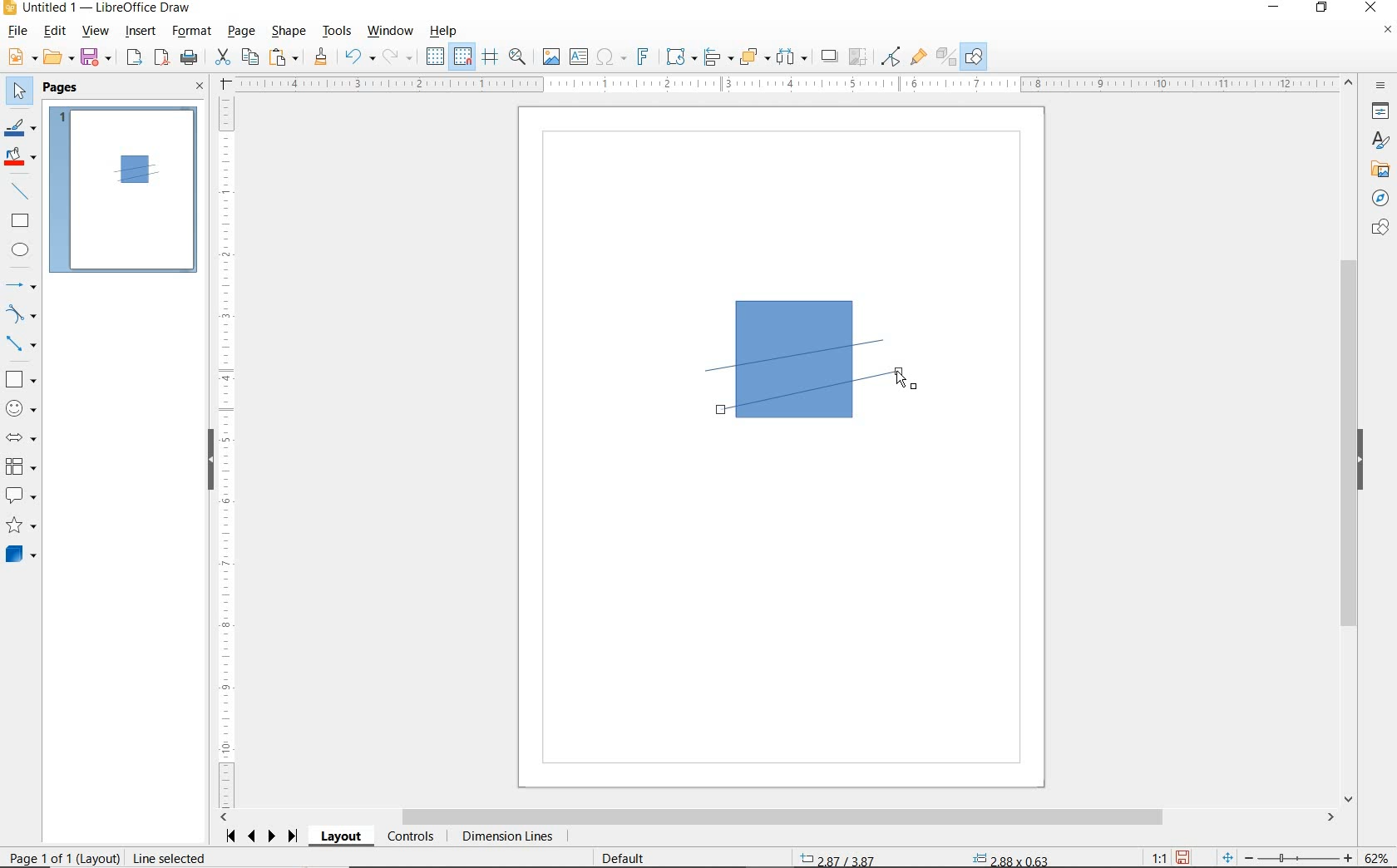 The width and height of the screenshot is (1397, 868). What do you see at coordinates (811, 357) in the screenshot?
I see `LINE` at bounding box center [811, 357].